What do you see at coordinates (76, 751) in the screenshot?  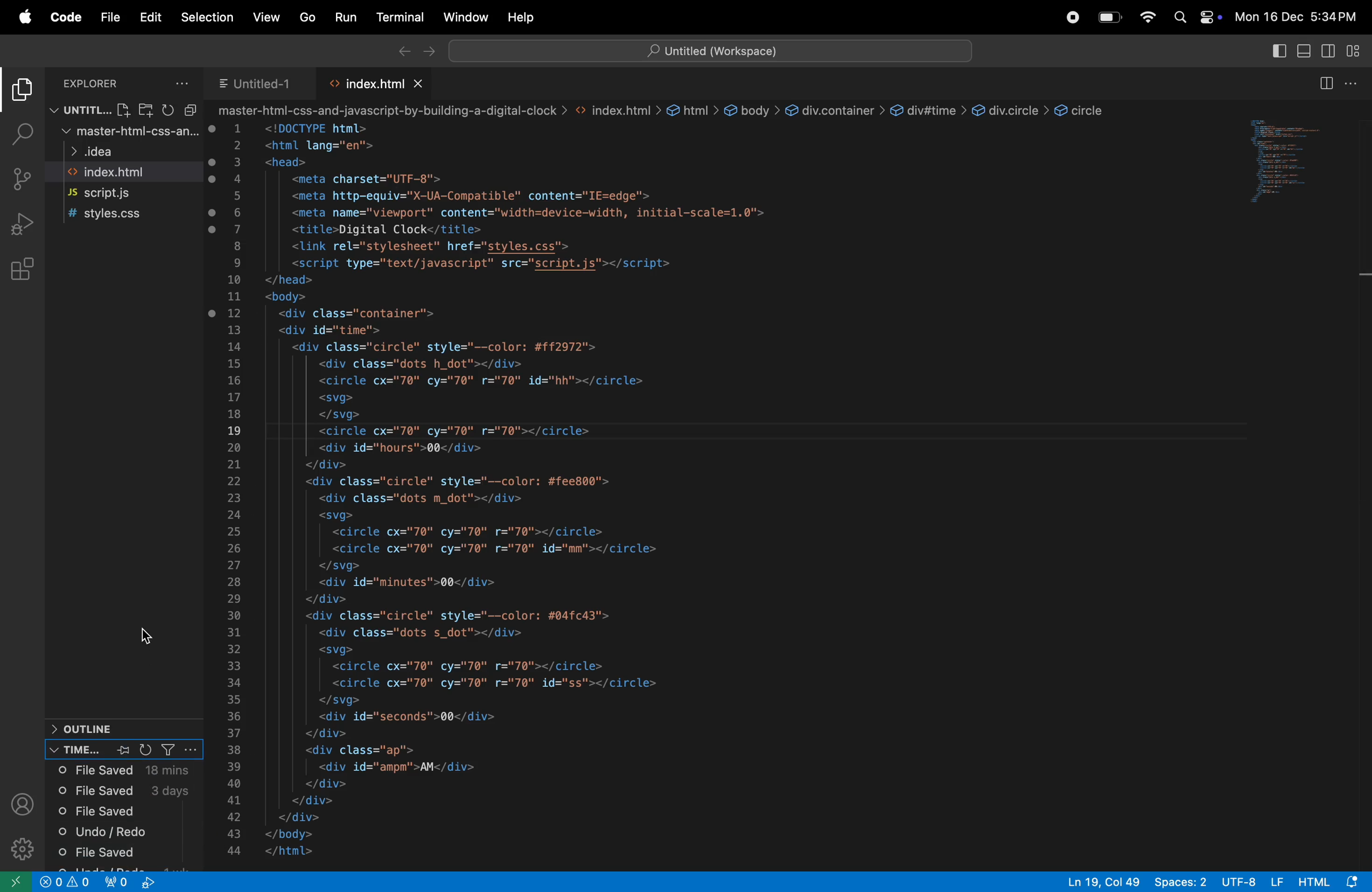 I see `timeline` at bounding box center [76, 751].